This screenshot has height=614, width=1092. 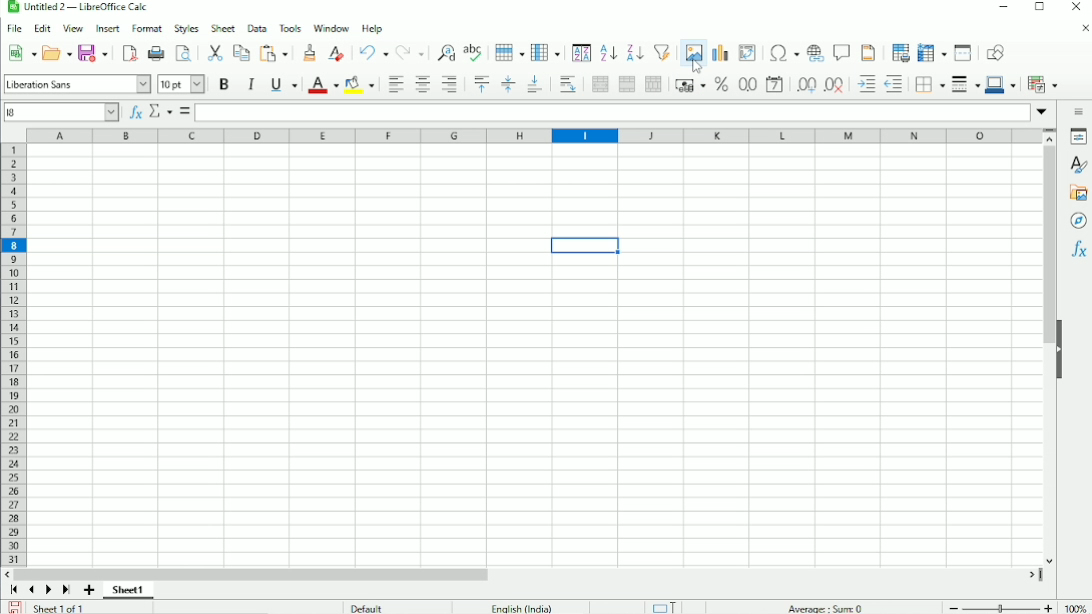 What do you see at coordinates (895, 86) in the screenshot?
I see `Decrease indent` at bounding box center [895, 86].